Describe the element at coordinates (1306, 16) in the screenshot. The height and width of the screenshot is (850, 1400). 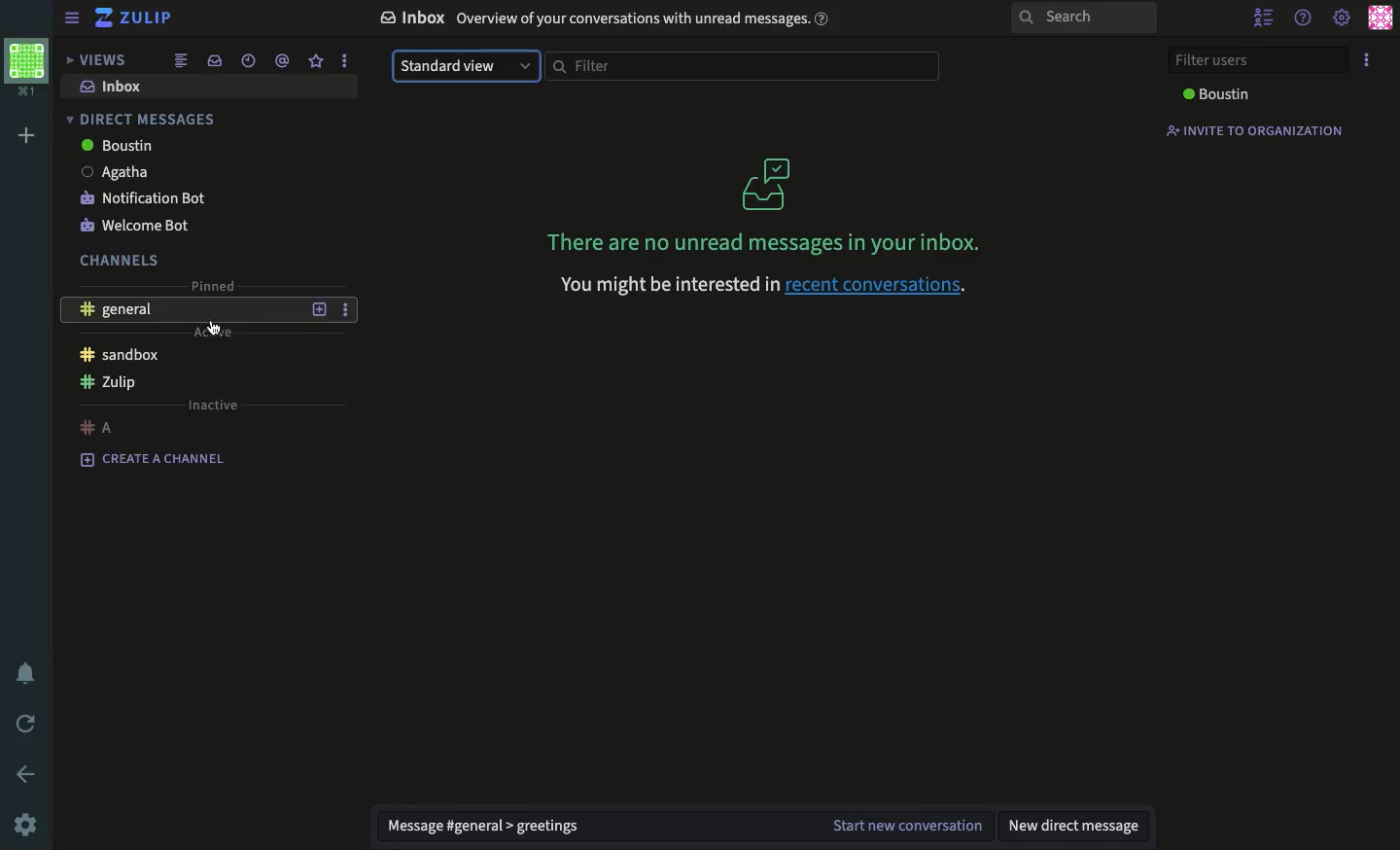
I see `help` at that location.